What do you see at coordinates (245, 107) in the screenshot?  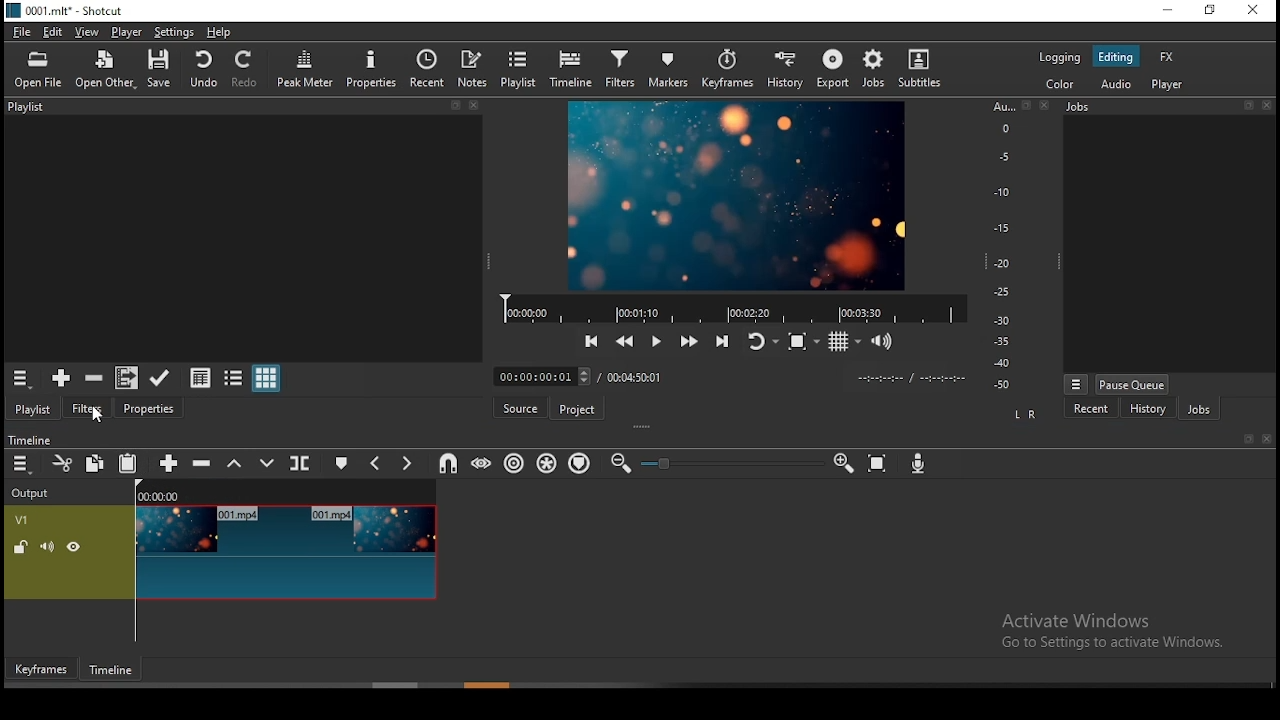 I see `Playlist` at bounding box center [245, 107].